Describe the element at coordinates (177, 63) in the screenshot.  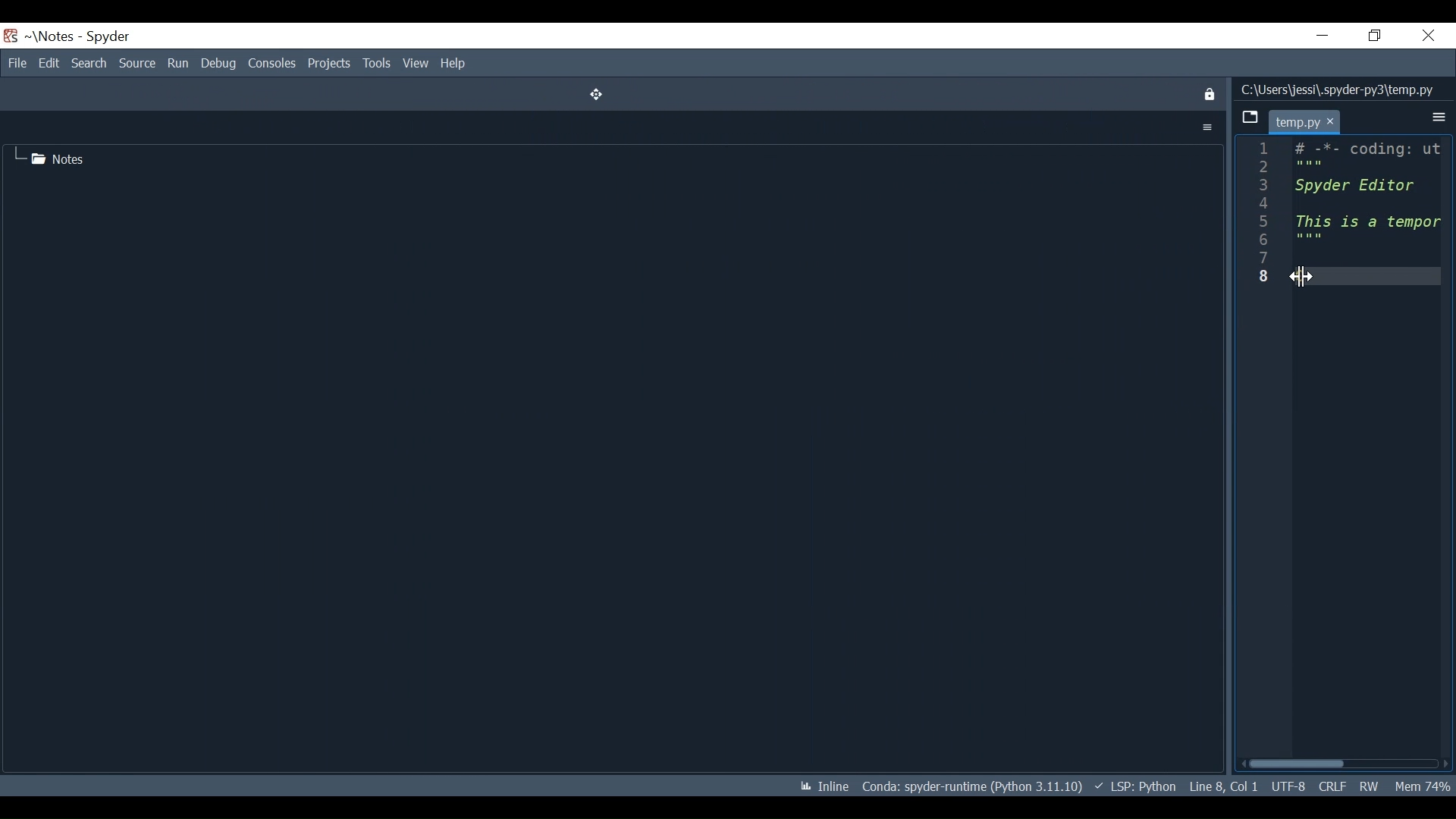
I see `Run` at that location.